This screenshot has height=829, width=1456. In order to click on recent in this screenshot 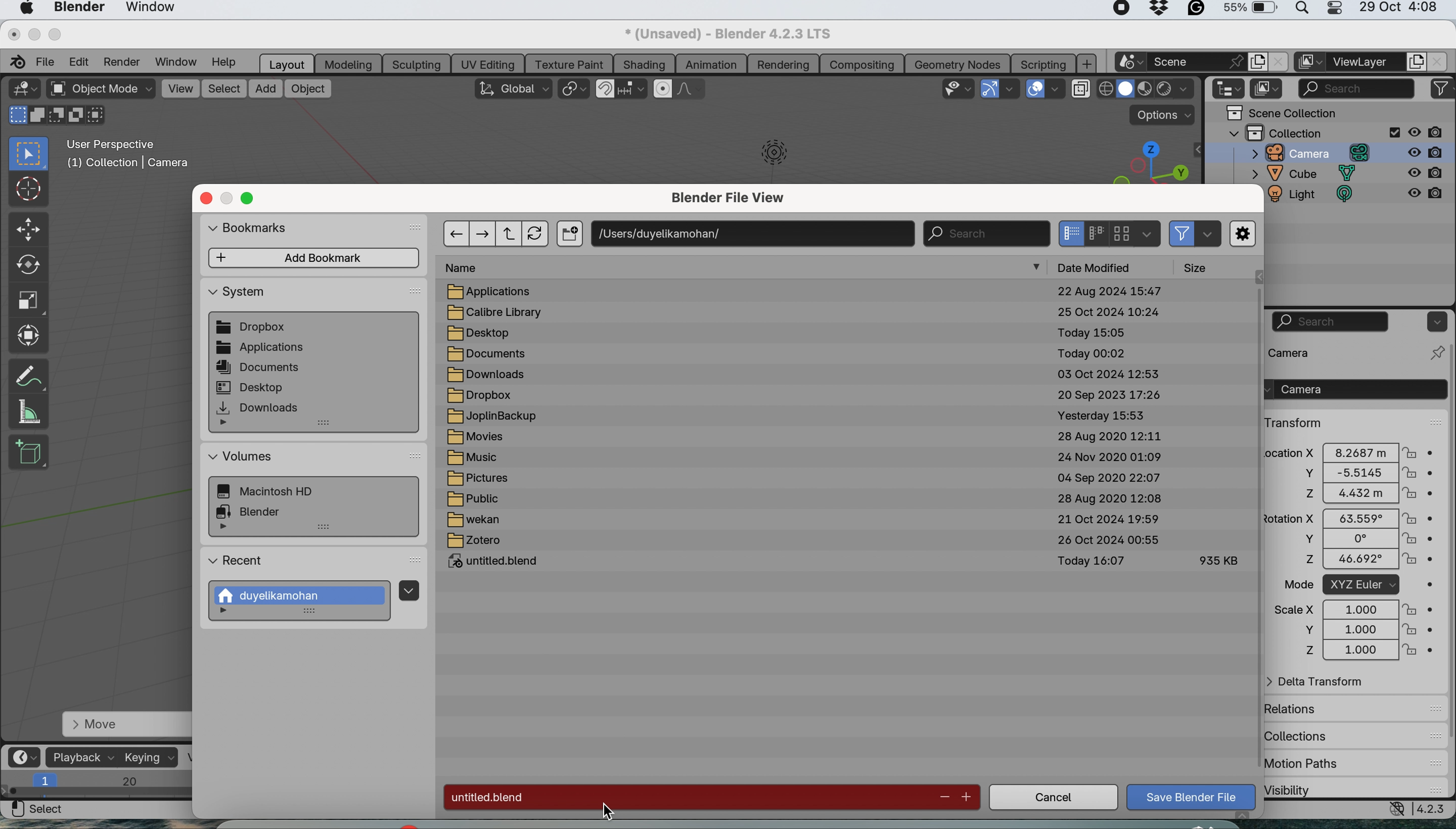, I will do `click(238, 563)`.